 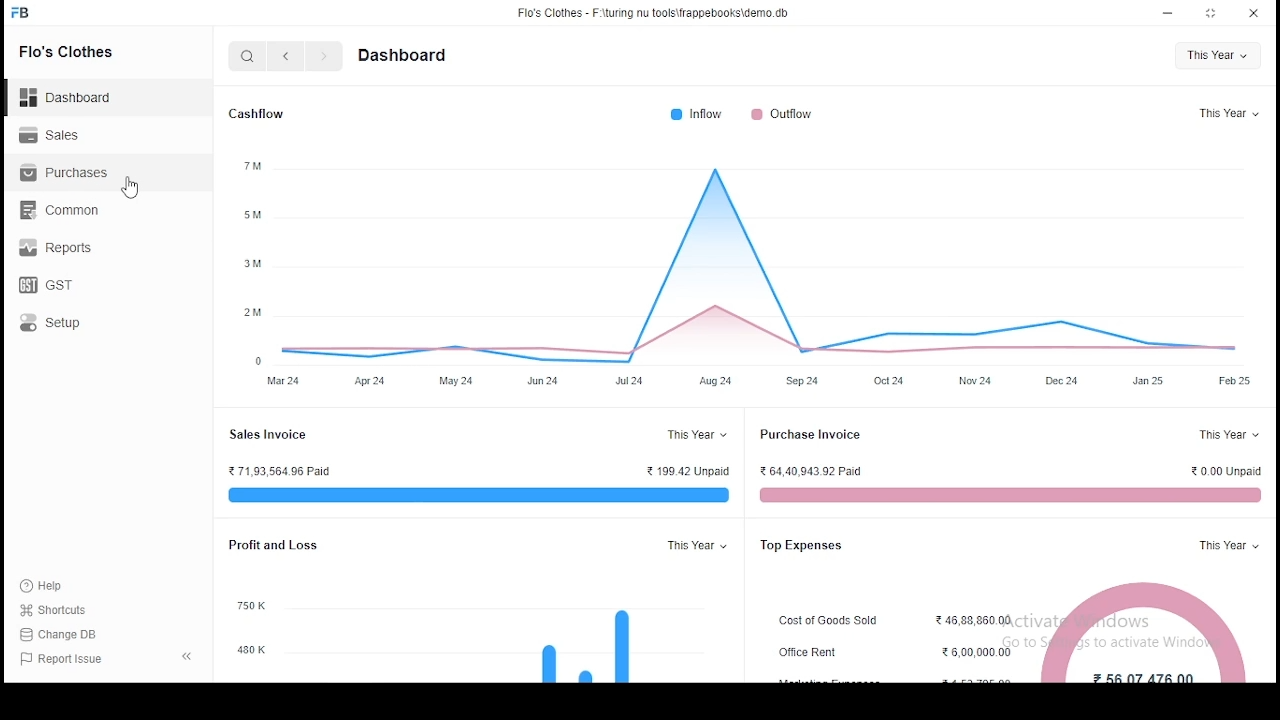 What do you see at coordinates (250, 58) in the screenshot?
I see `search` at bounding box center [250, 58].